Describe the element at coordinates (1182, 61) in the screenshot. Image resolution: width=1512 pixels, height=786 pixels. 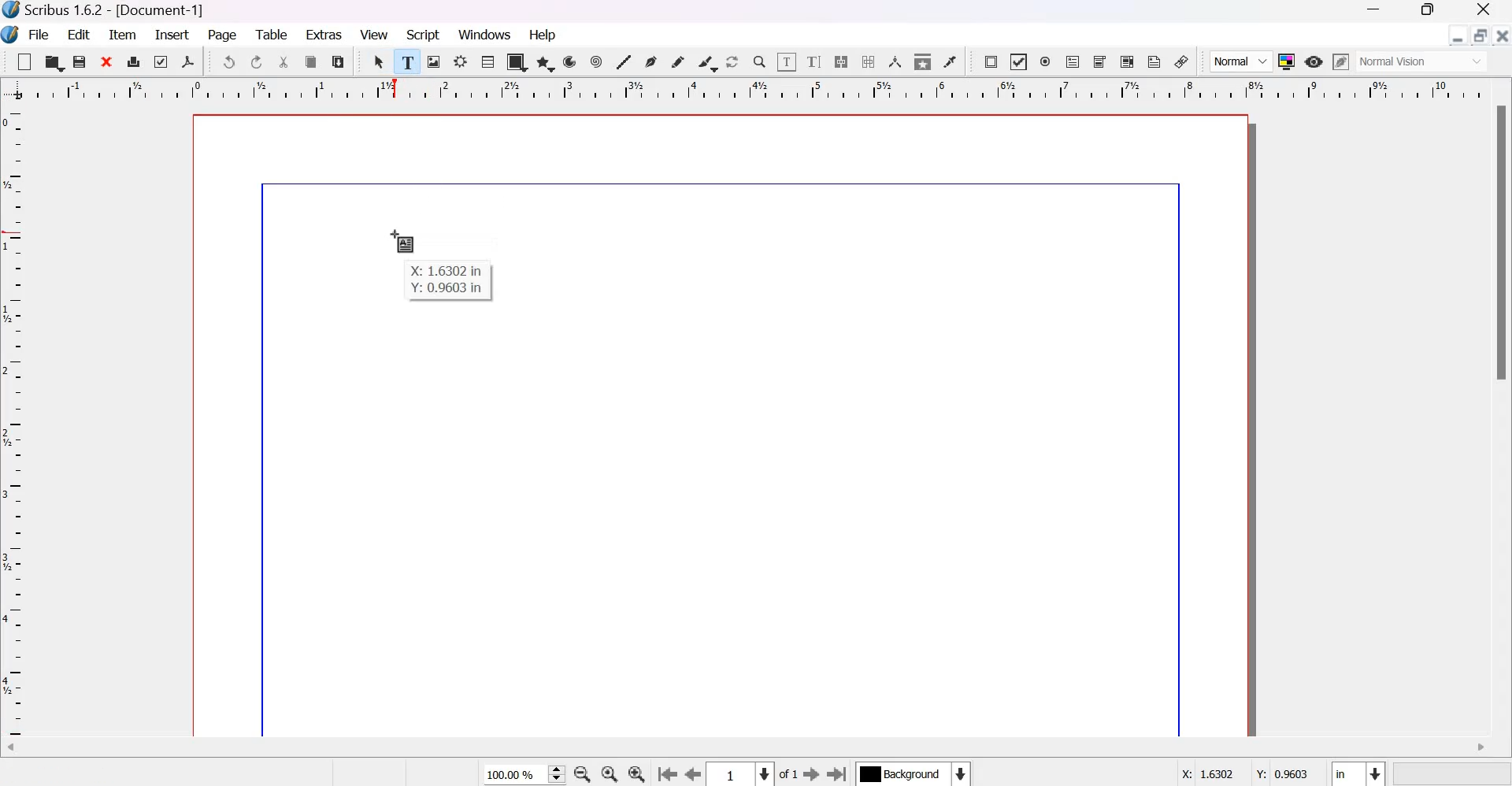
I see `Link annotation` at that location.